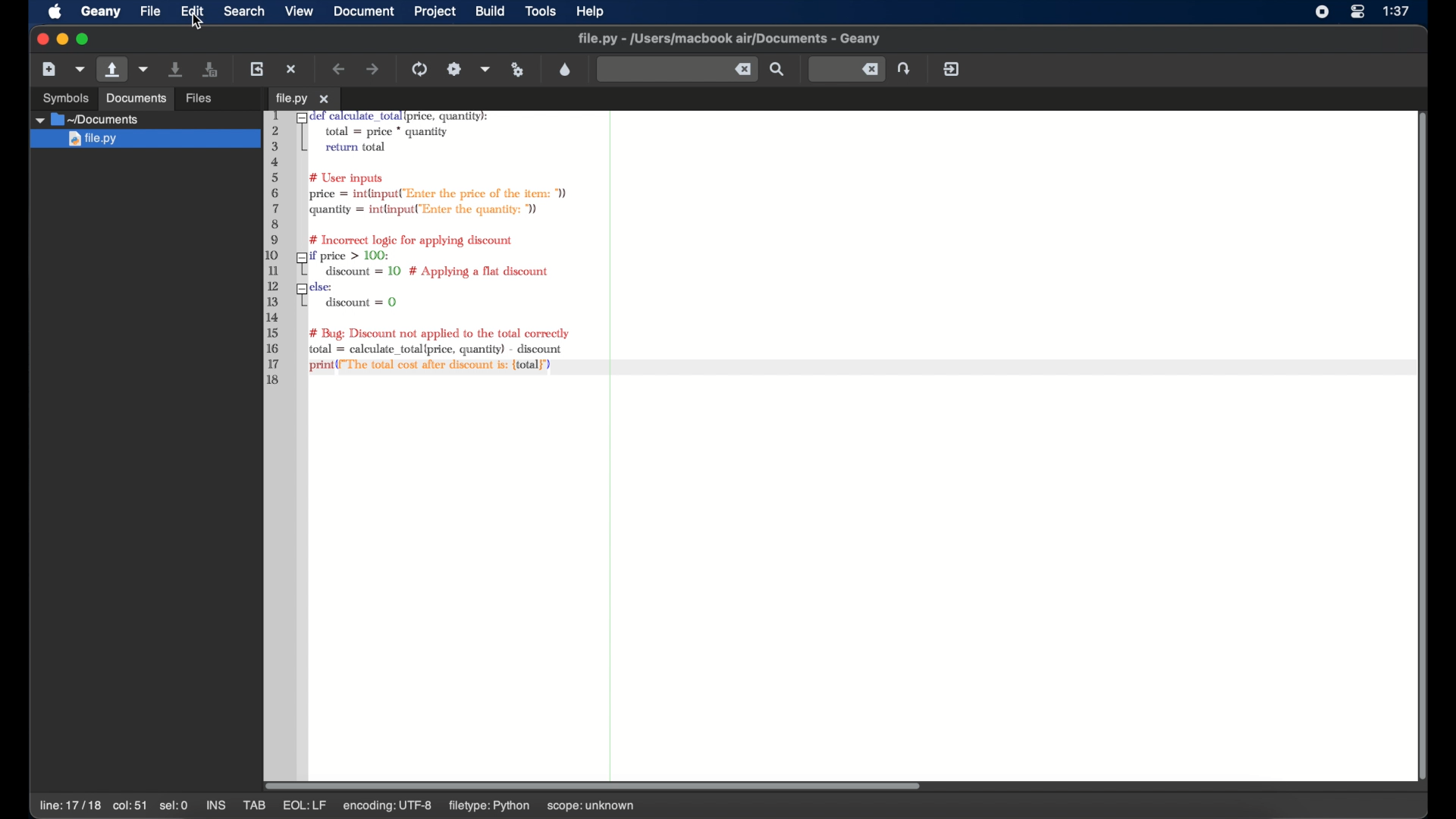  I want to click on search, so click(244, 11).